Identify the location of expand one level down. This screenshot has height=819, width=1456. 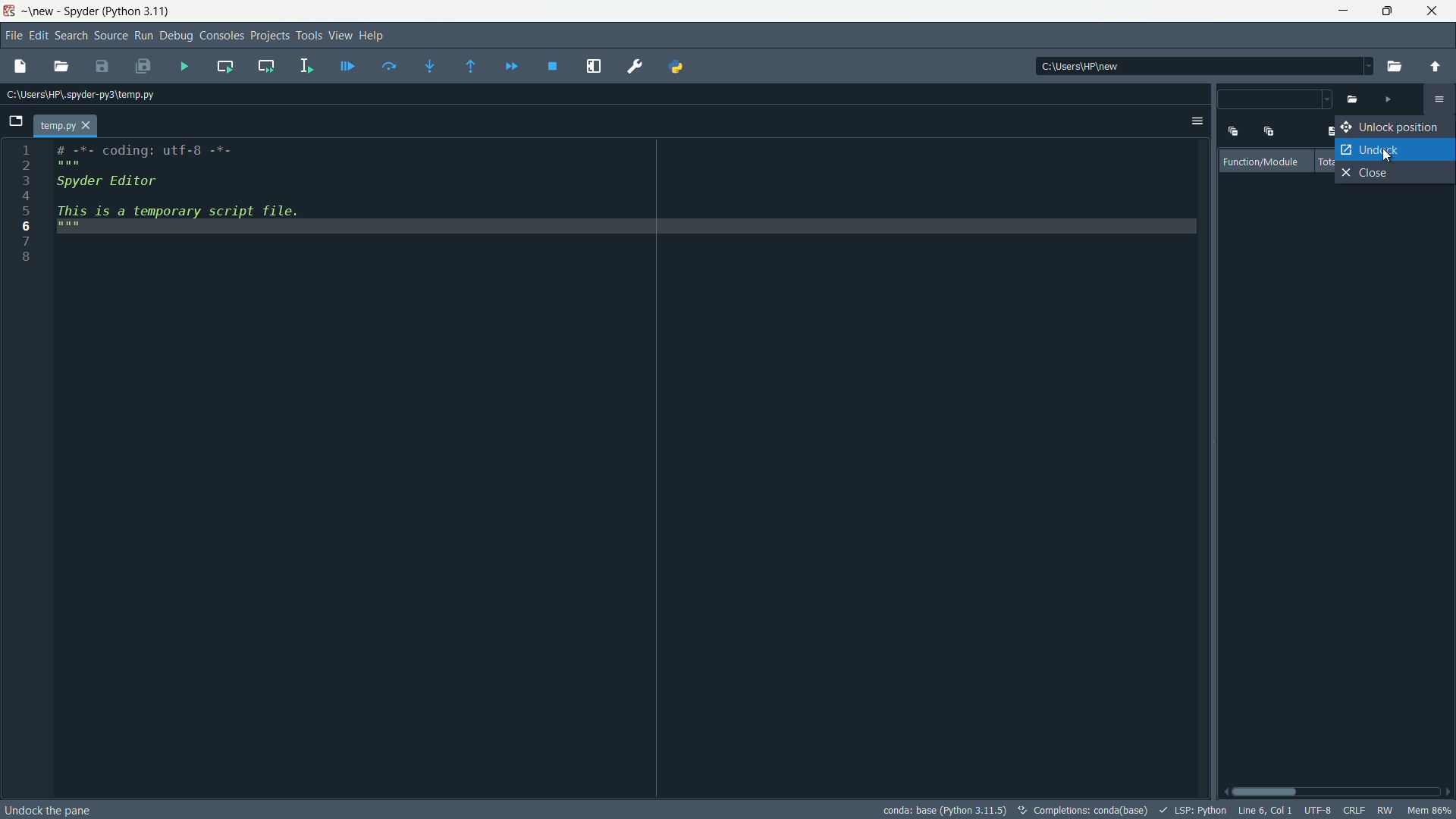
(1268, 131).